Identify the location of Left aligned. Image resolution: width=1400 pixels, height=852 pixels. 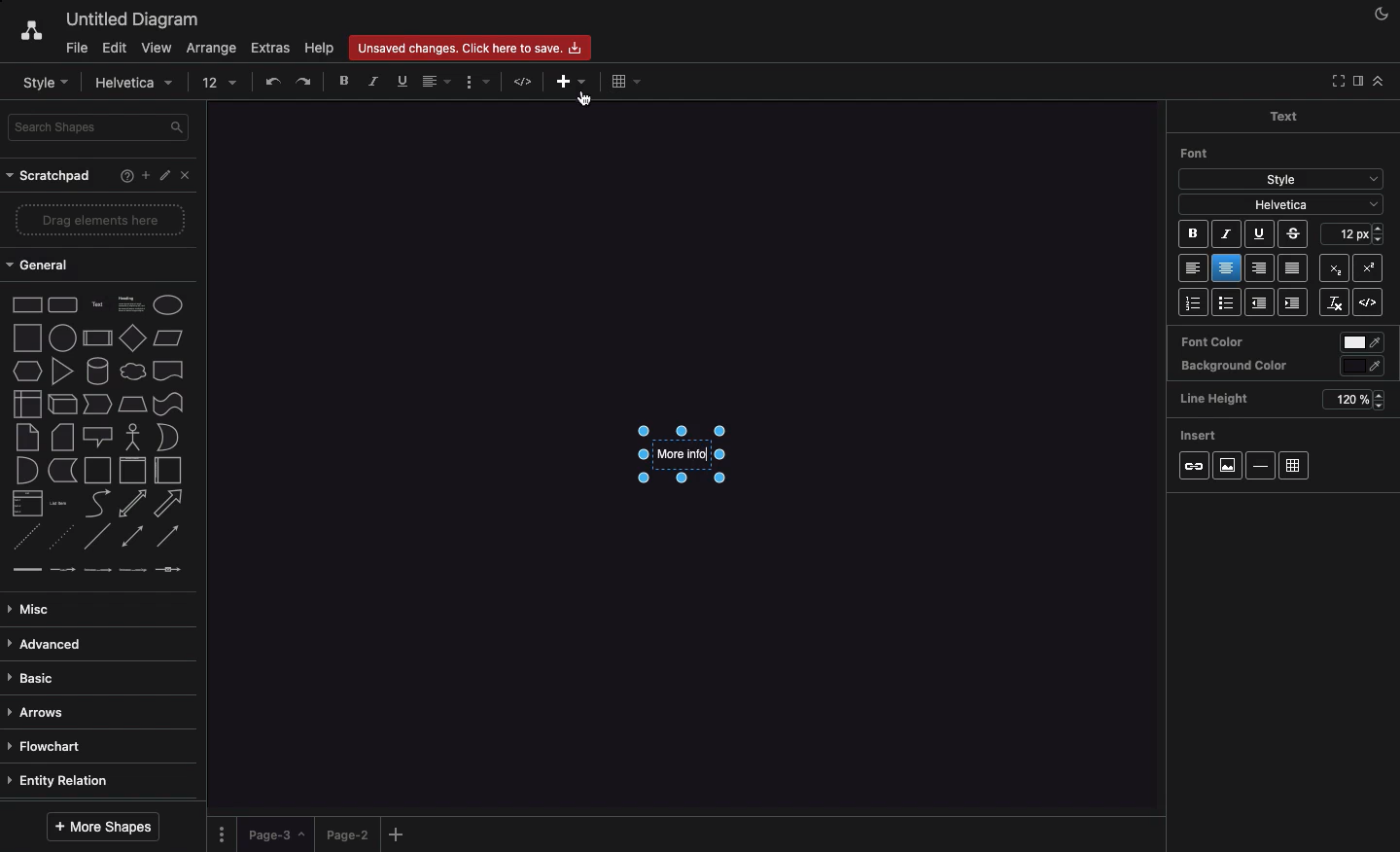
(1194, 269).